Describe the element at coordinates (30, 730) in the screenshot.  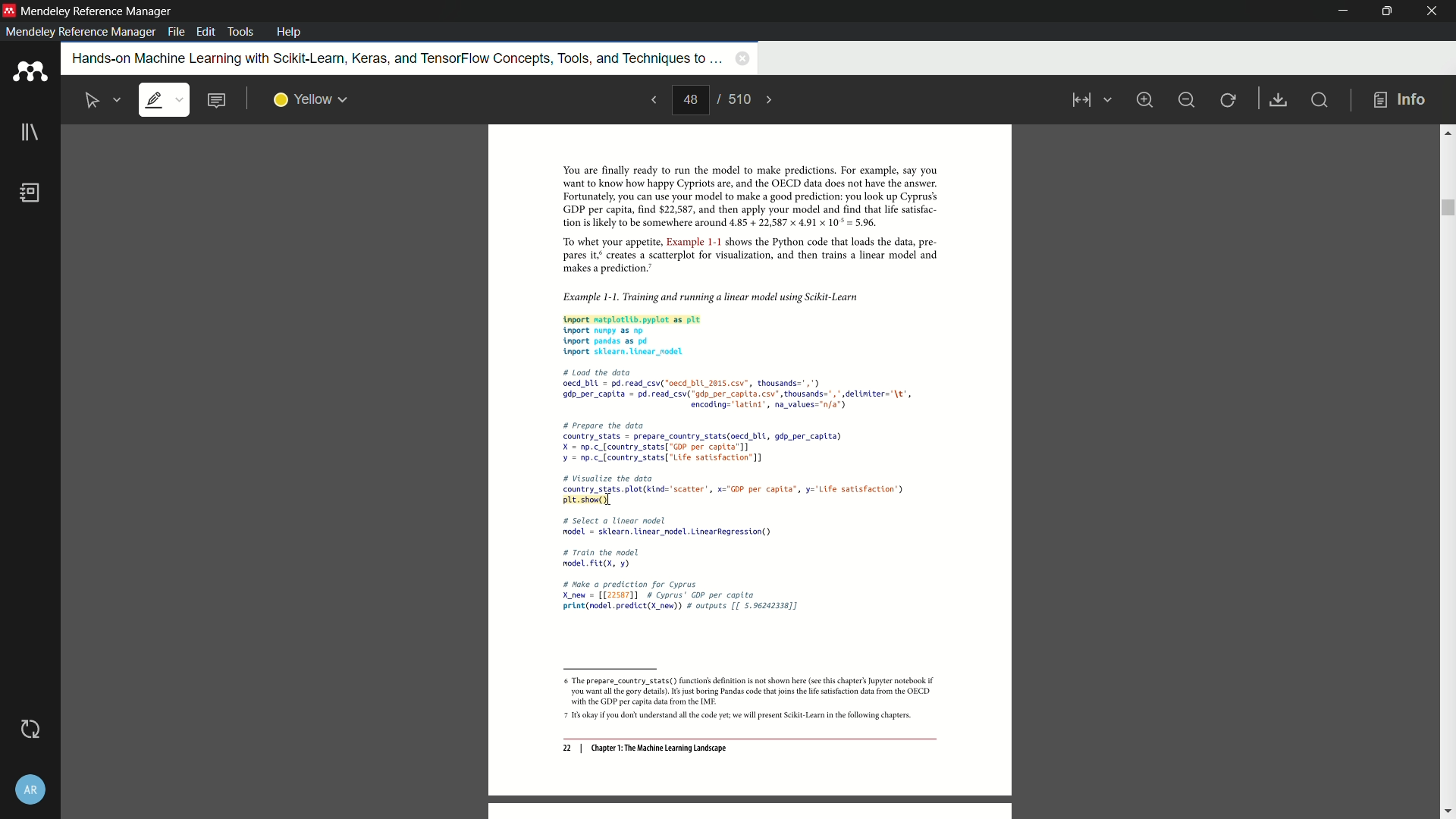
I see `sync` at that location.